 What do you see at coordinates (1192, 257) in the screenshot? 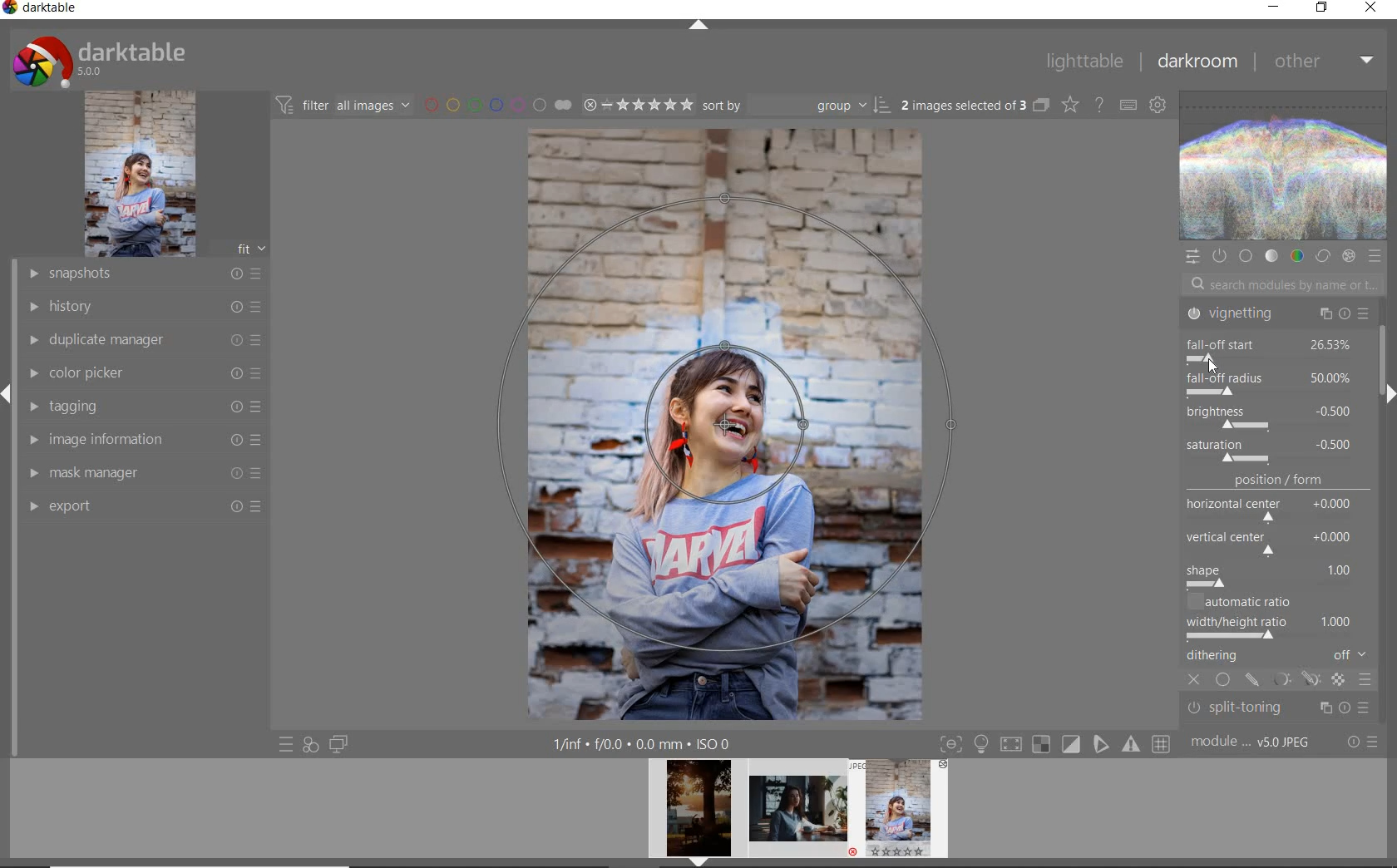
I see `quick access panel` at bounding box center [1192, 257].